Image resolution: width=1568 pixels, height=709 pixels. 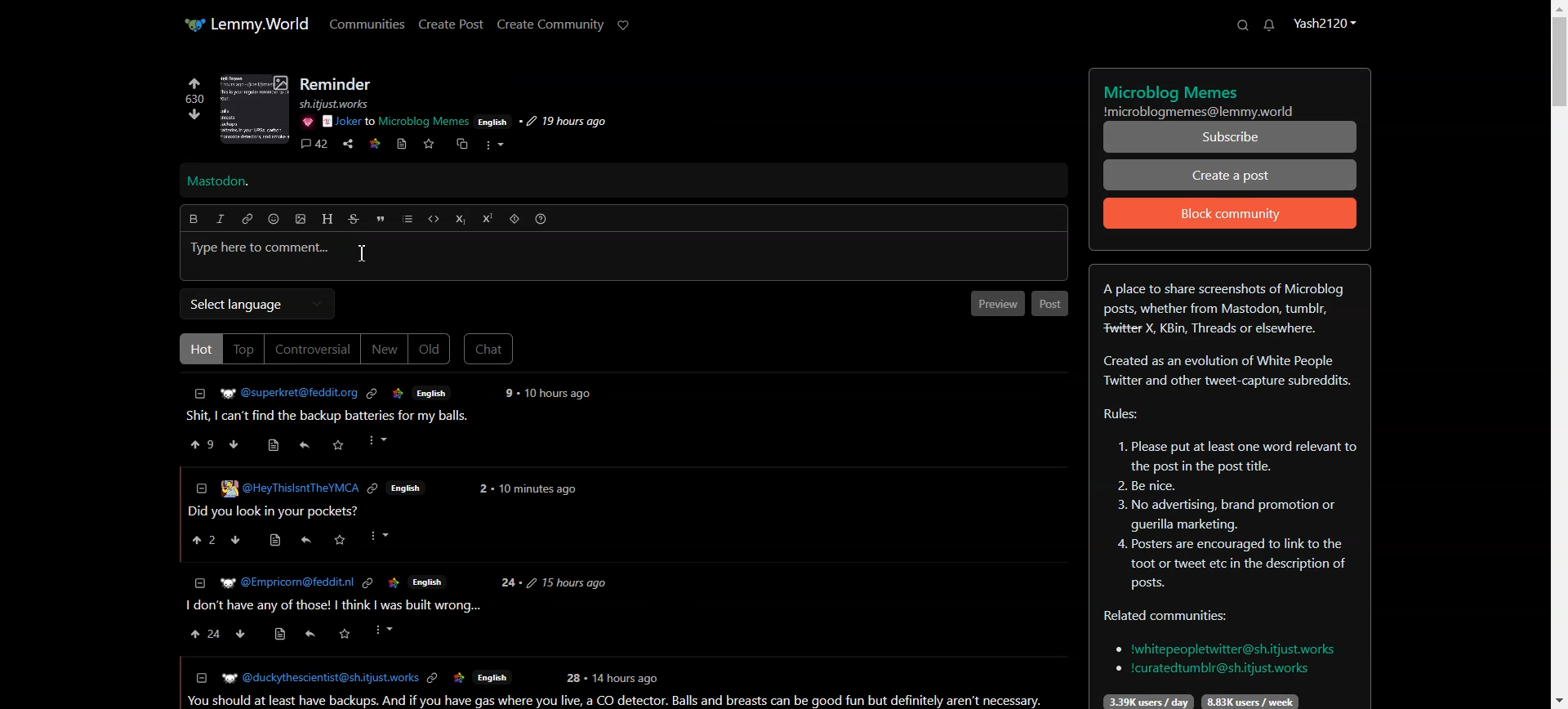 What do you see at coordinates (408, 219) in the screenshot?
I see `List` at bounding box center [408, 219].